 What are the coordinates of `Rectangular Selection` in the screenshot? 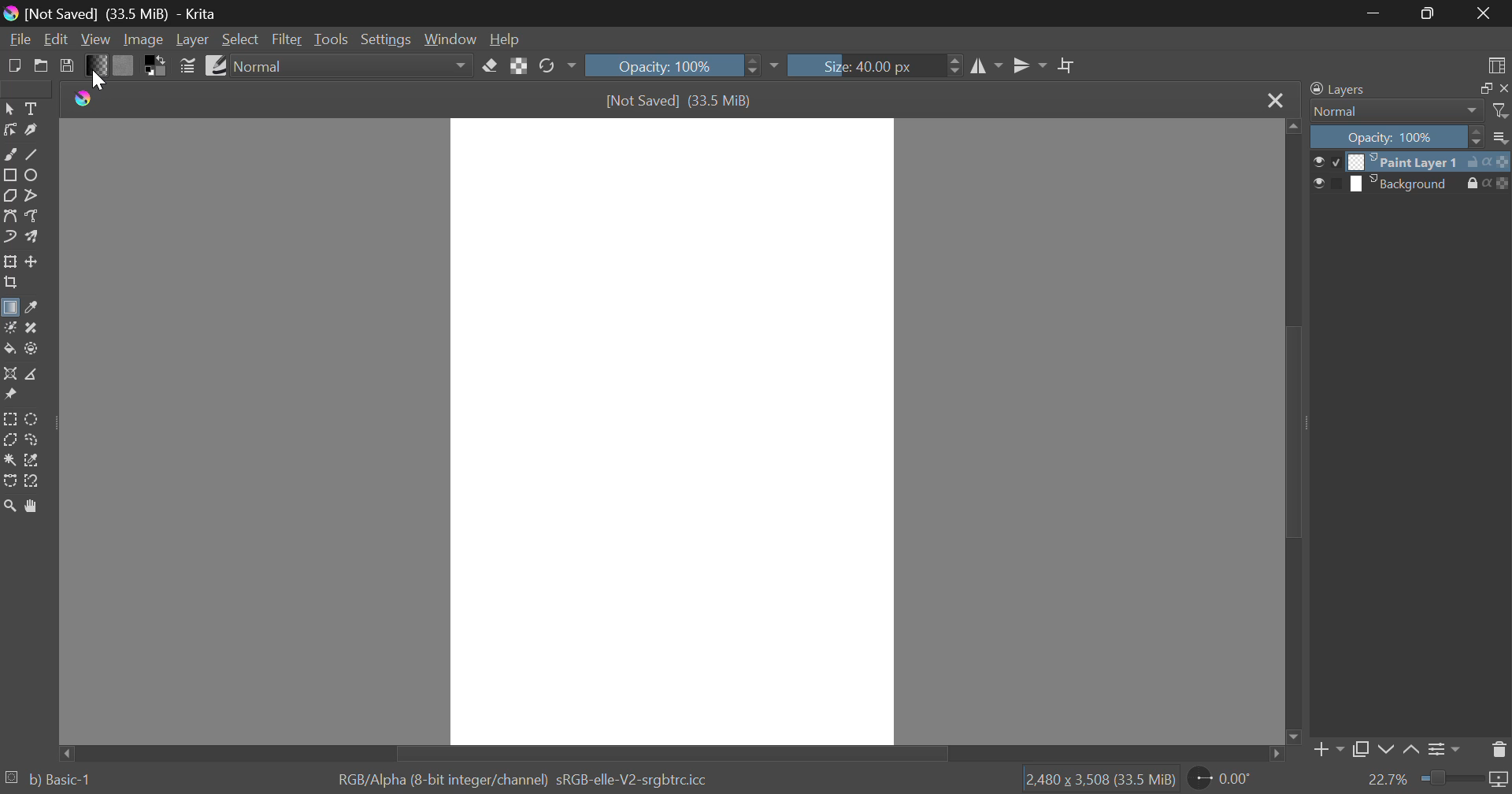 It's located at (11, 420).